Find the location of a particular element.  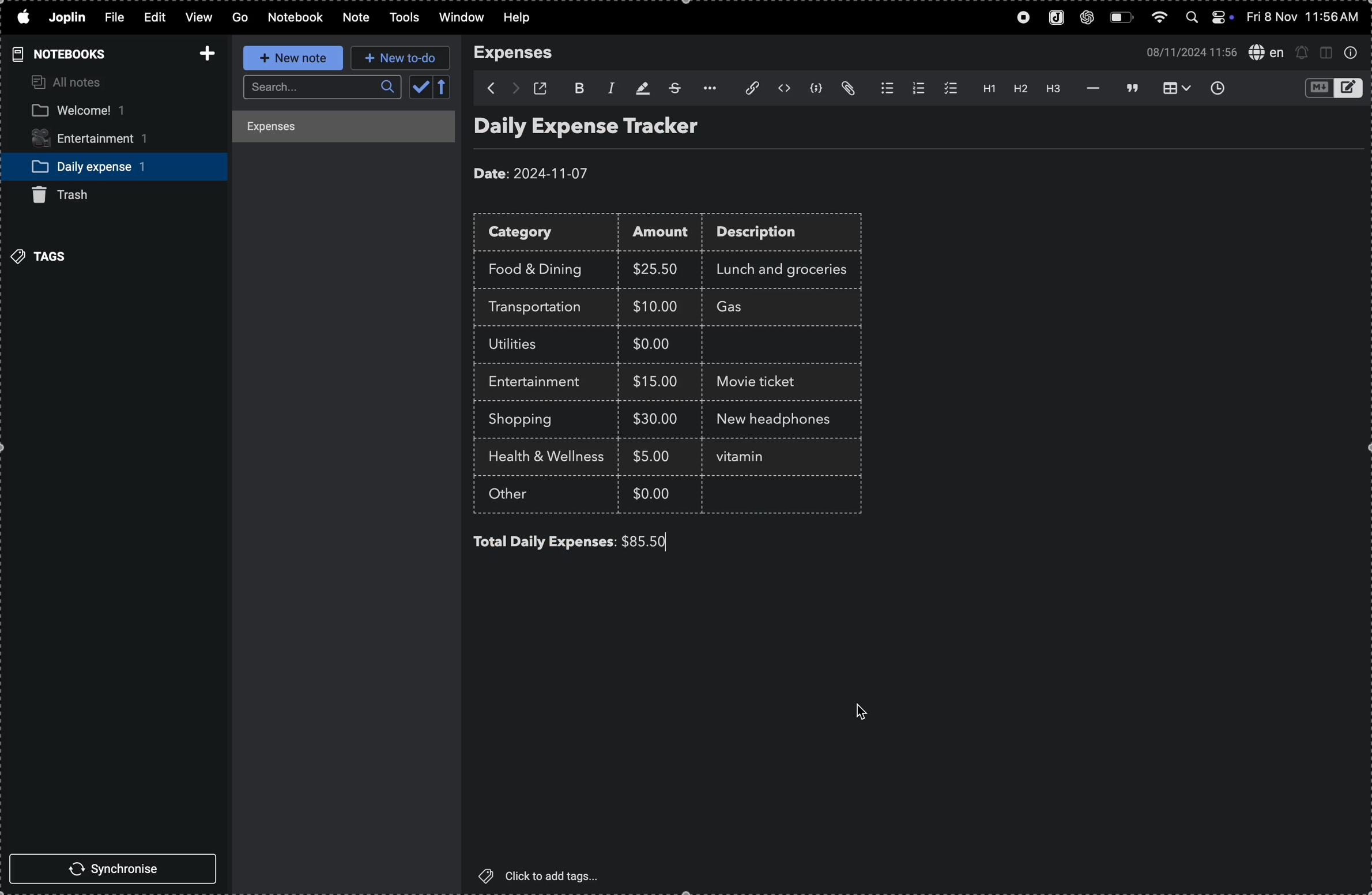

highlight is located at coordinates (640, 87).